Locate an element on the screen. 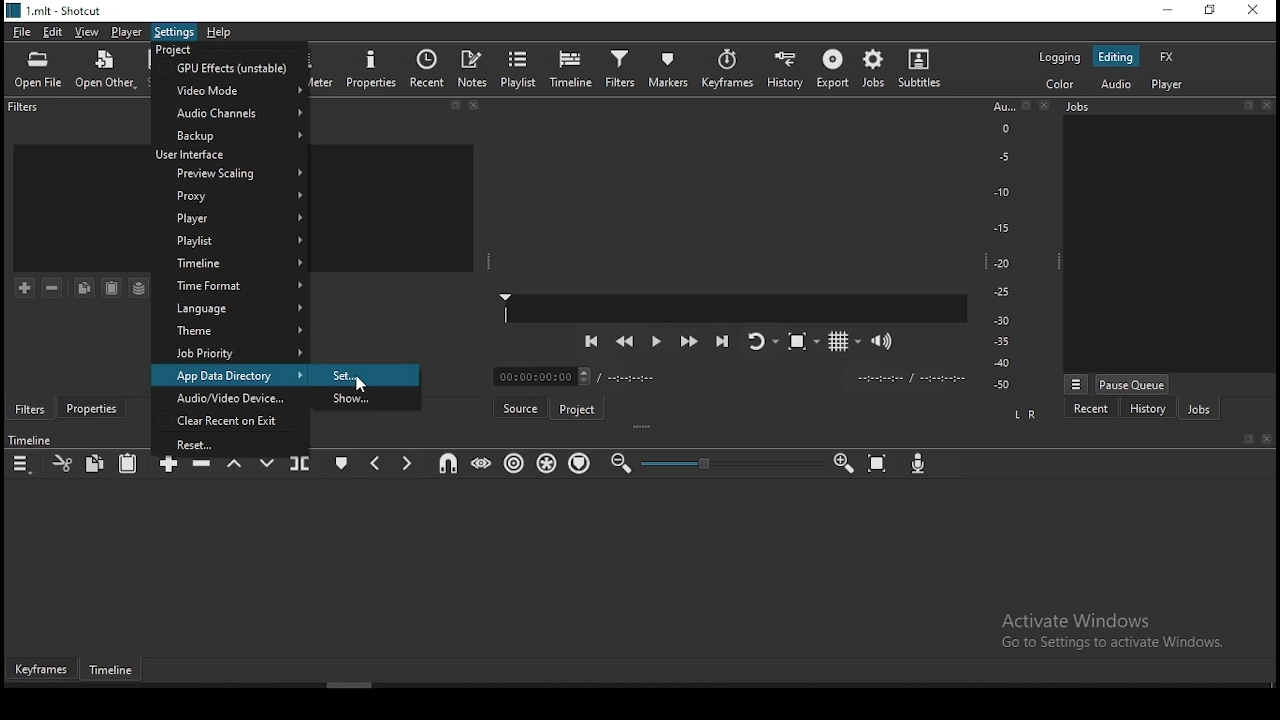 The height and width of the screenshot is (720, 1280). pause queue is located at coordinates (1134, 384).